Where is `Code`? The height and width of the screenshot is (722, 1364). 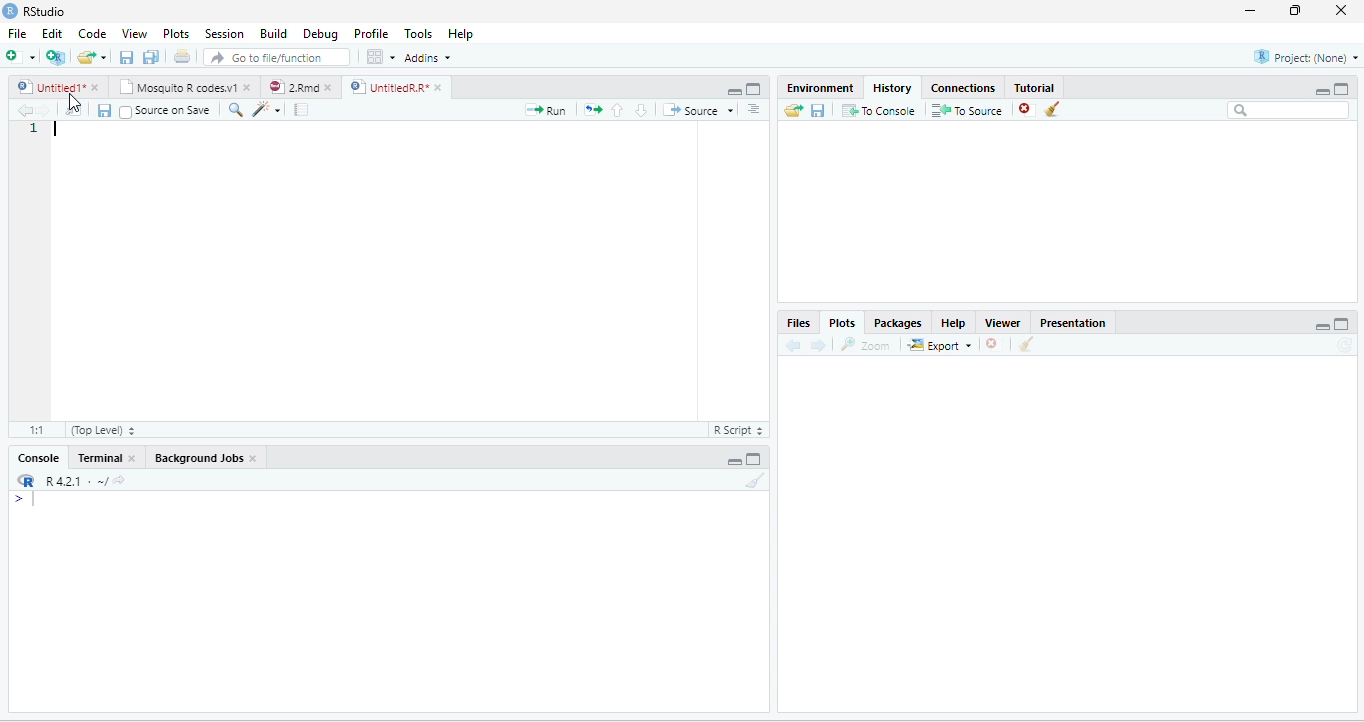
Code is located at coordinates (91, 33).